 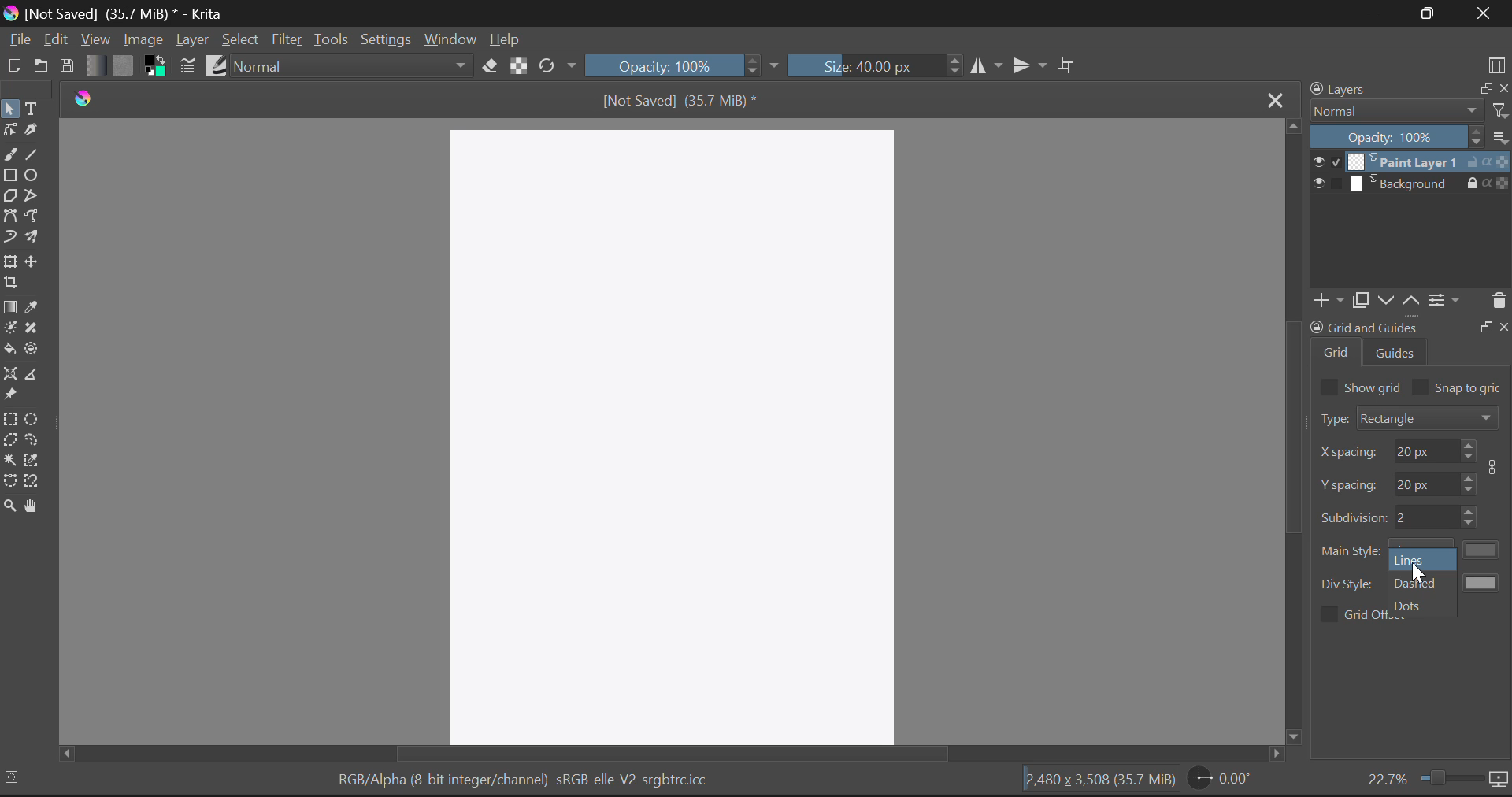 What do you see at coordinates (1425, 482) in the screenshot?
I see `spacing y` at bounding box center [1425, 482].